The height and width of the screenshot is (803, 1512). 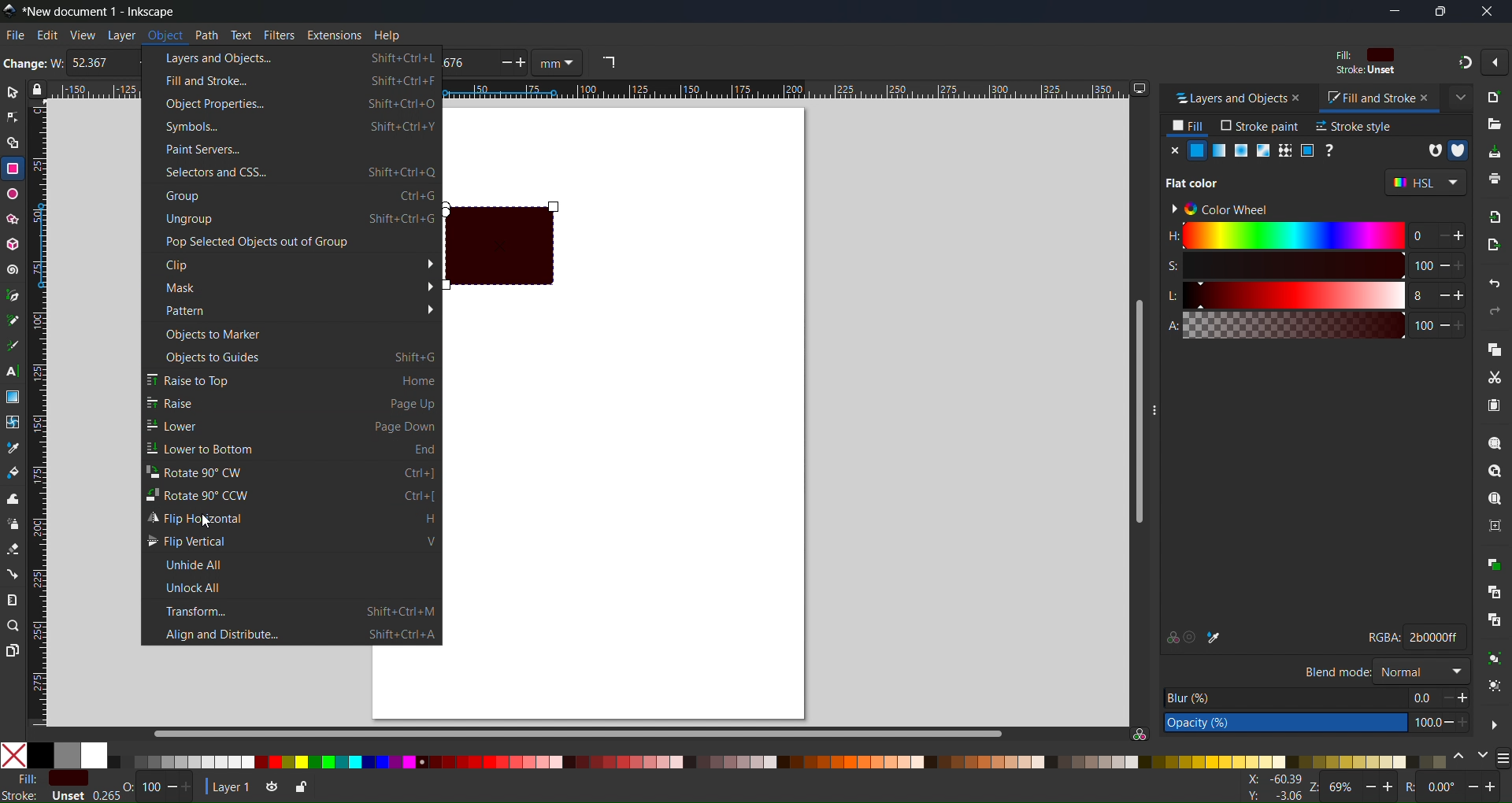 What do you see at coordinates (69, 755) in the screenshot?
I see `50% Grey` at bounding box center [69, 755].